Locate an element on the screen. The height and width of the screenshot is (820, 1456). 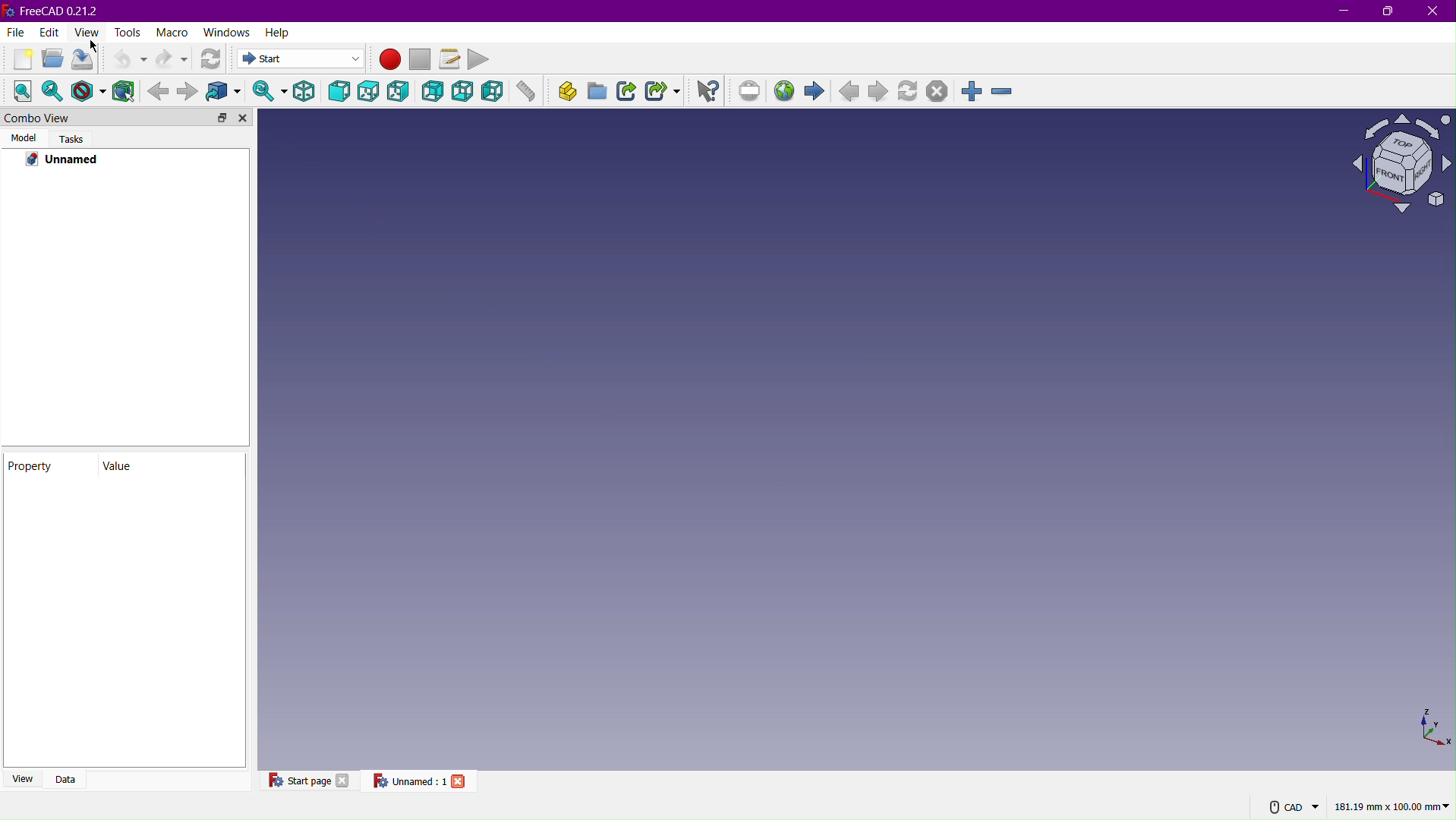
Right is located at coordinates (399, 91).